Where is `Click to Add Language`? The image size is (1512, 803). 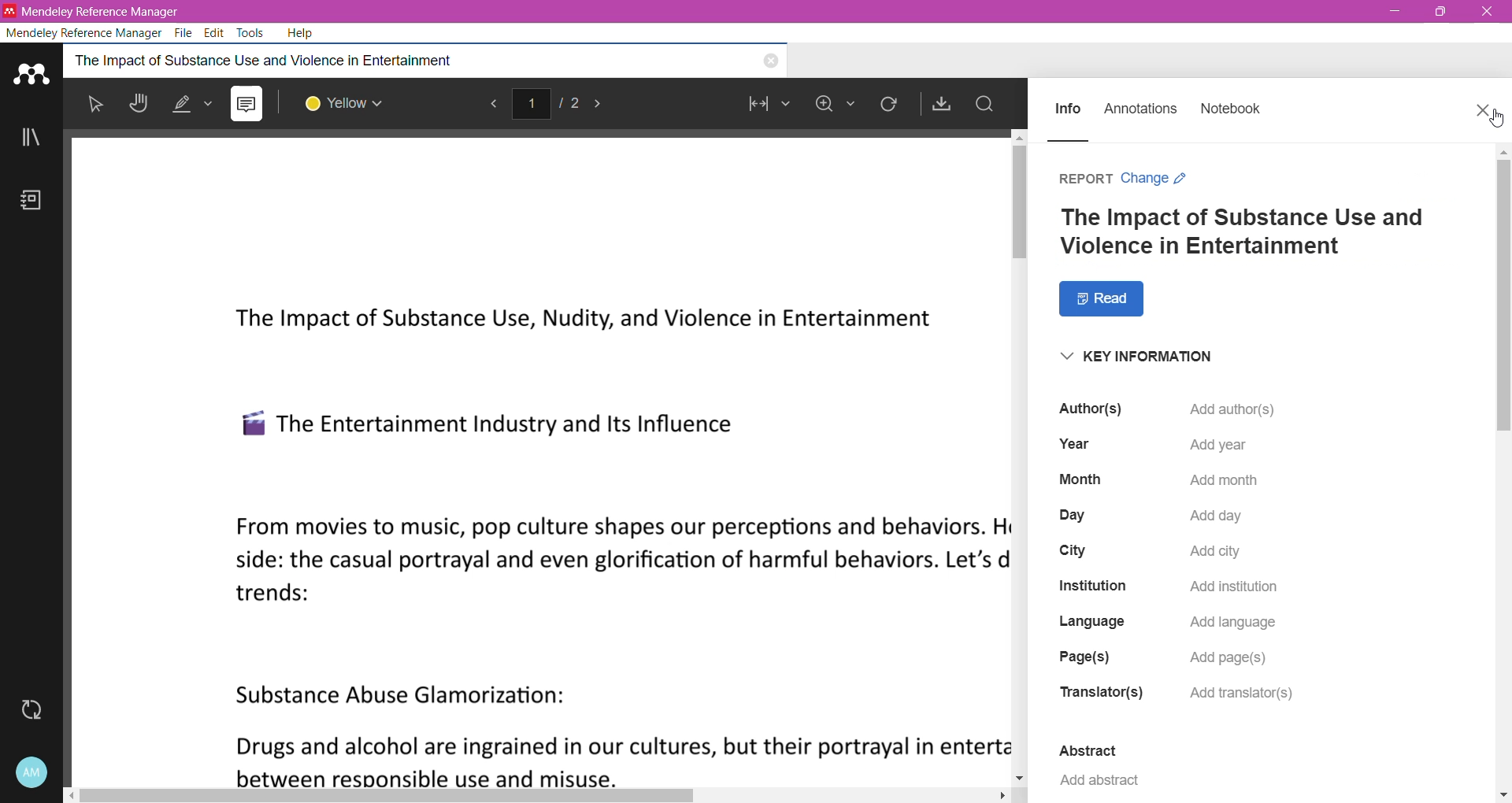 Click to Add Language is located at coordinates (1233, 619).